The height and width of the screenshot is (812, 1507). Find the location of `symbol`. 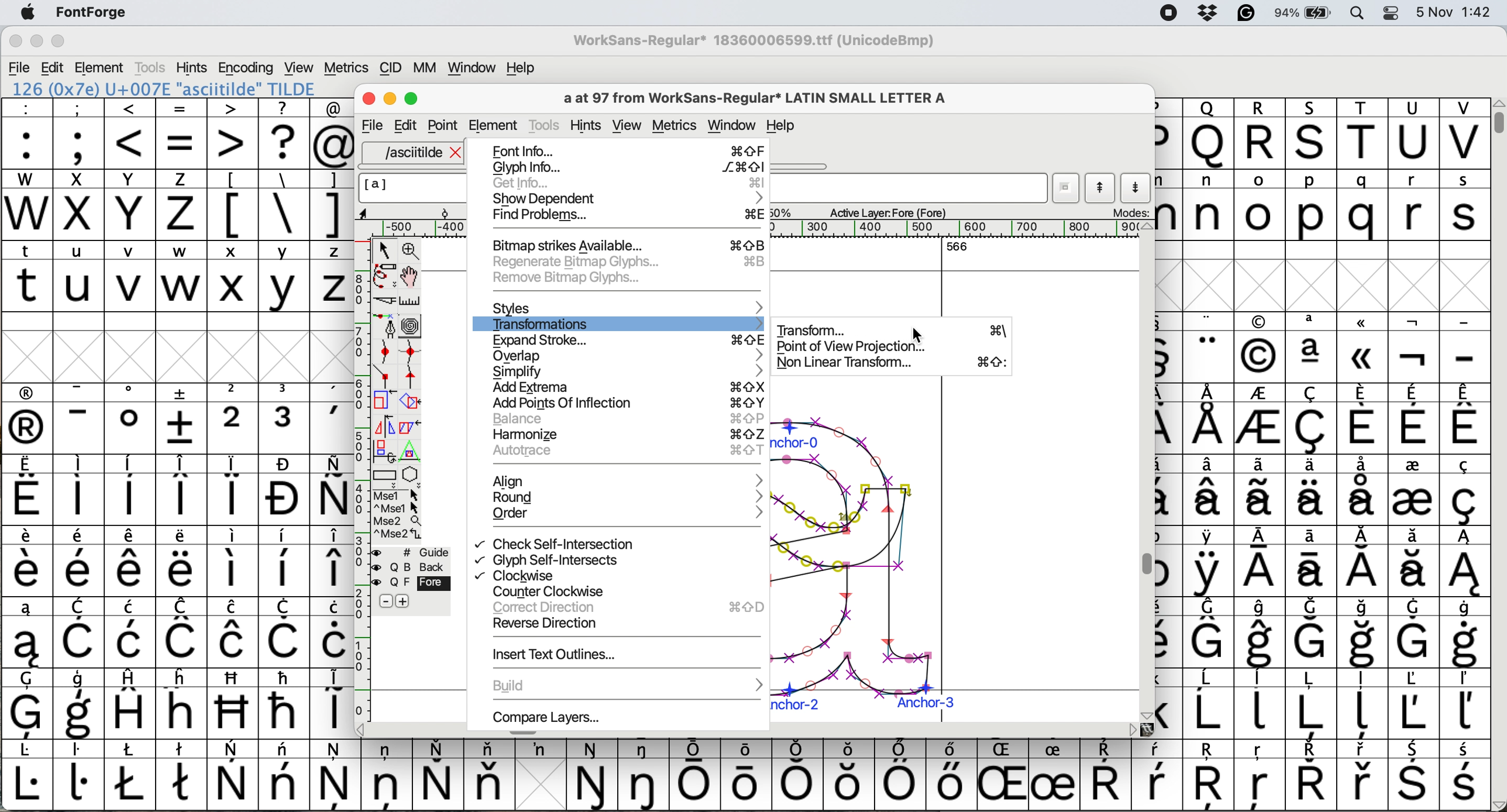

symbol is located at coordinates (1313, 419).